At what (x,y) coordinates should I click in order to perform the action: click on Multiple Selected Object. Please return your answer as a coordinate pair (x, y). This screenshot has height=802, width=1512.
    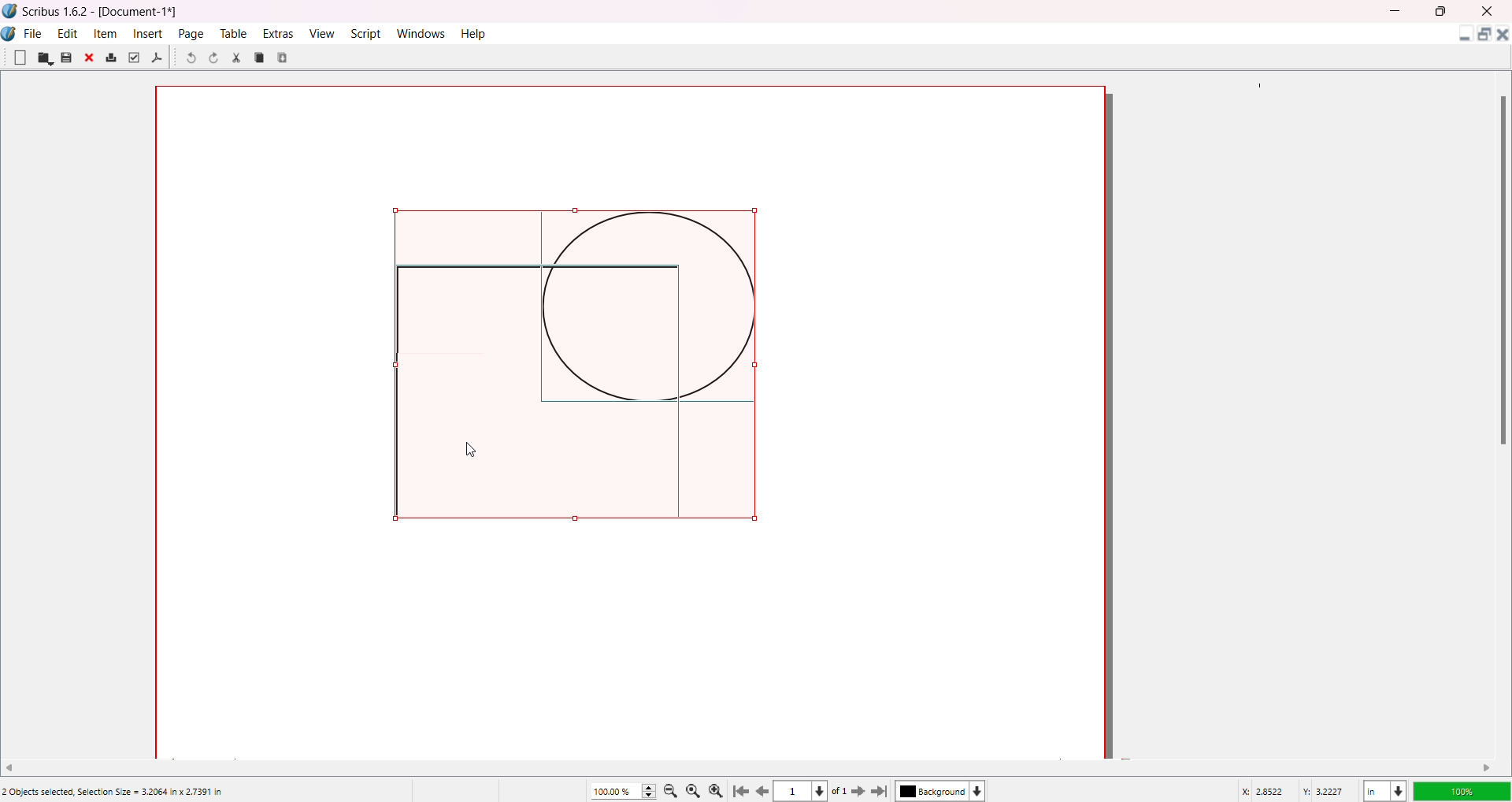
    Looking at the image, I should click on (580, 365).